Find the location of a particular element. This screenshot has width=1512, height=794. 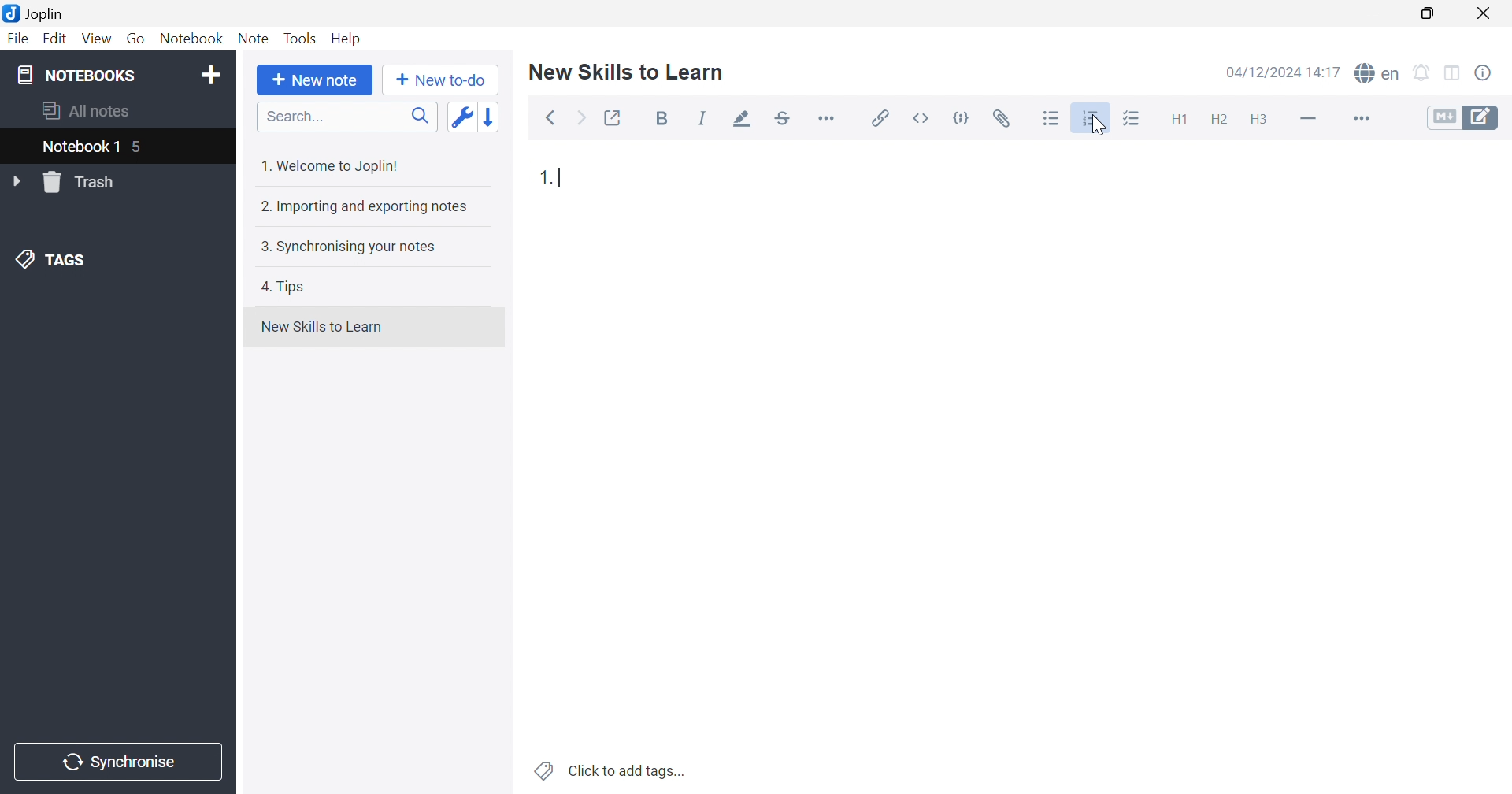

Bold is located at coordinates (666, 120).